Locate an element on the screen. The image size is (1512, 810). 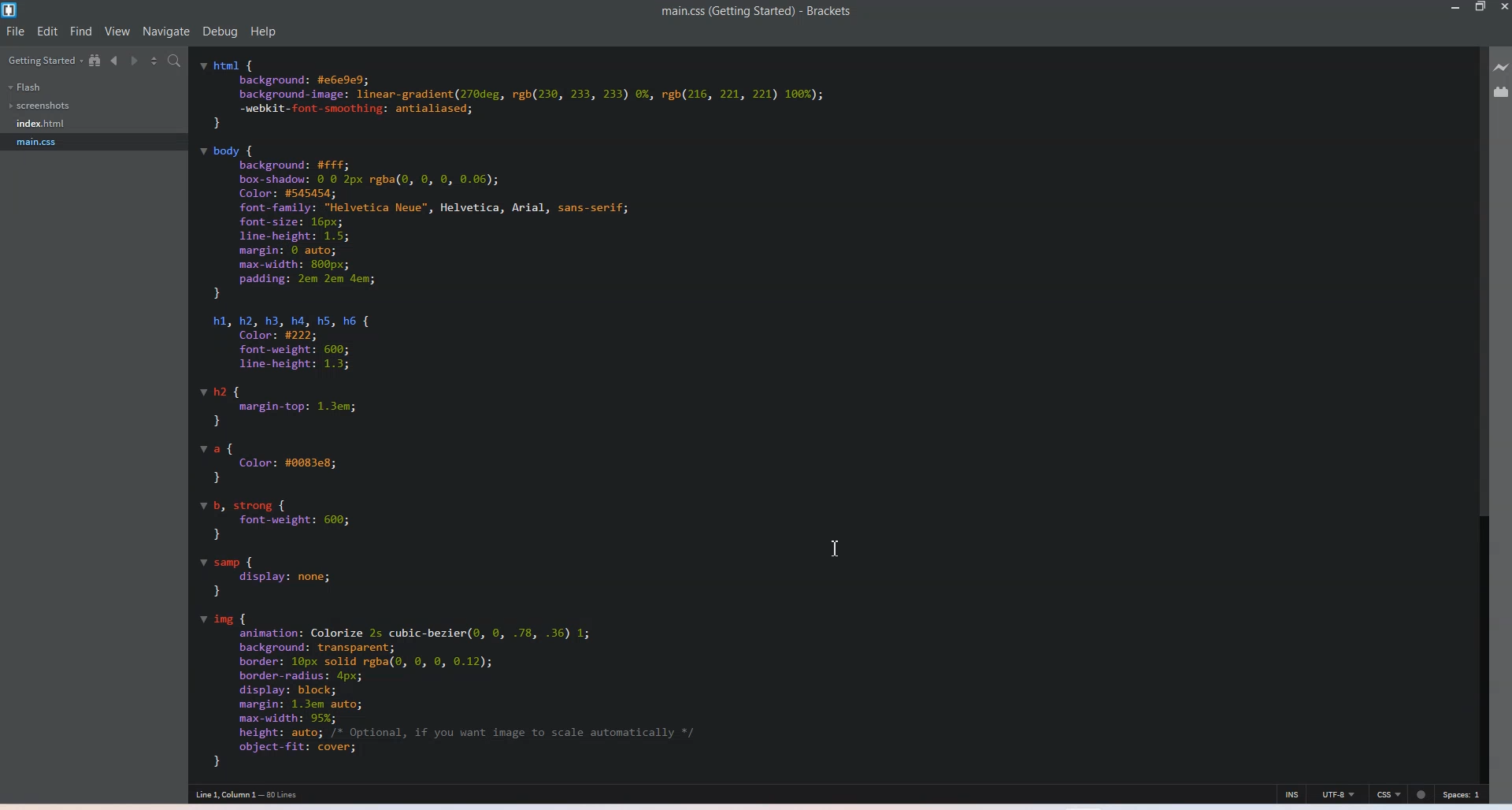
Live Preview is located at coordinates (1502, 66).